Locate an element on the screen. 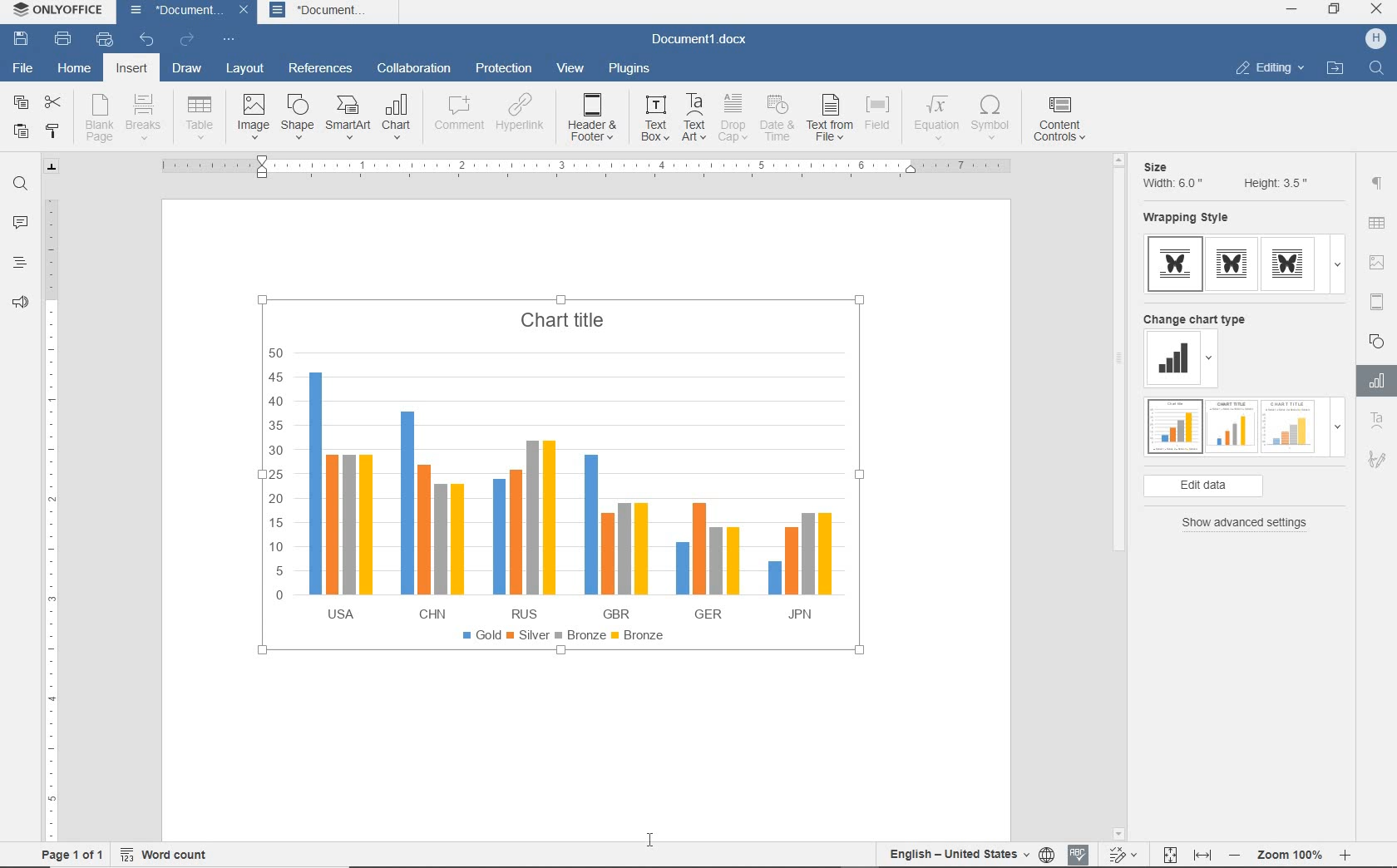 Image resolution: width=1397 pixels, height=868 pixels. type 3 is located at coordinates (1292, 264).